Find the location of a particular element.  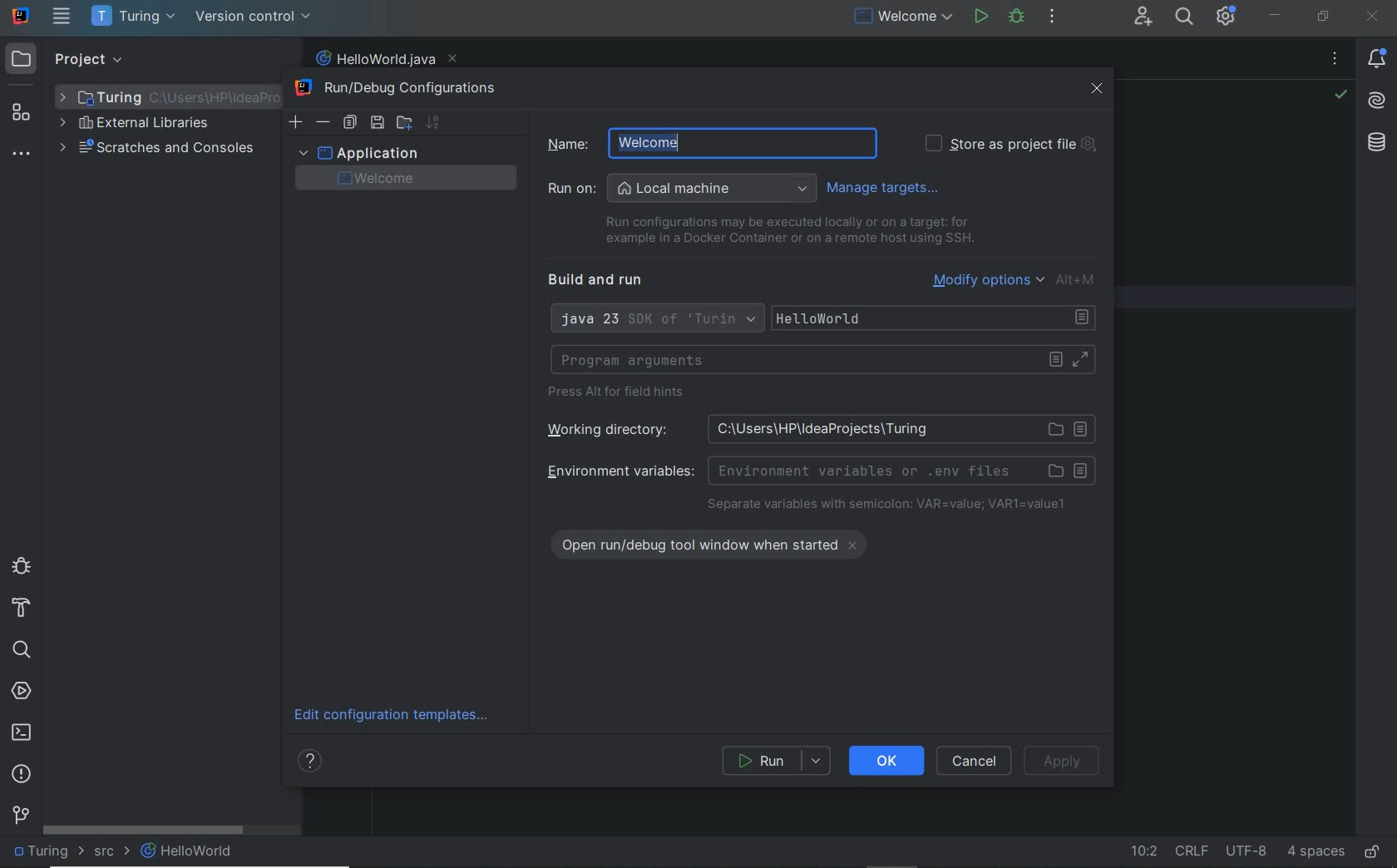

terminal is located at coordinates (22, 732).